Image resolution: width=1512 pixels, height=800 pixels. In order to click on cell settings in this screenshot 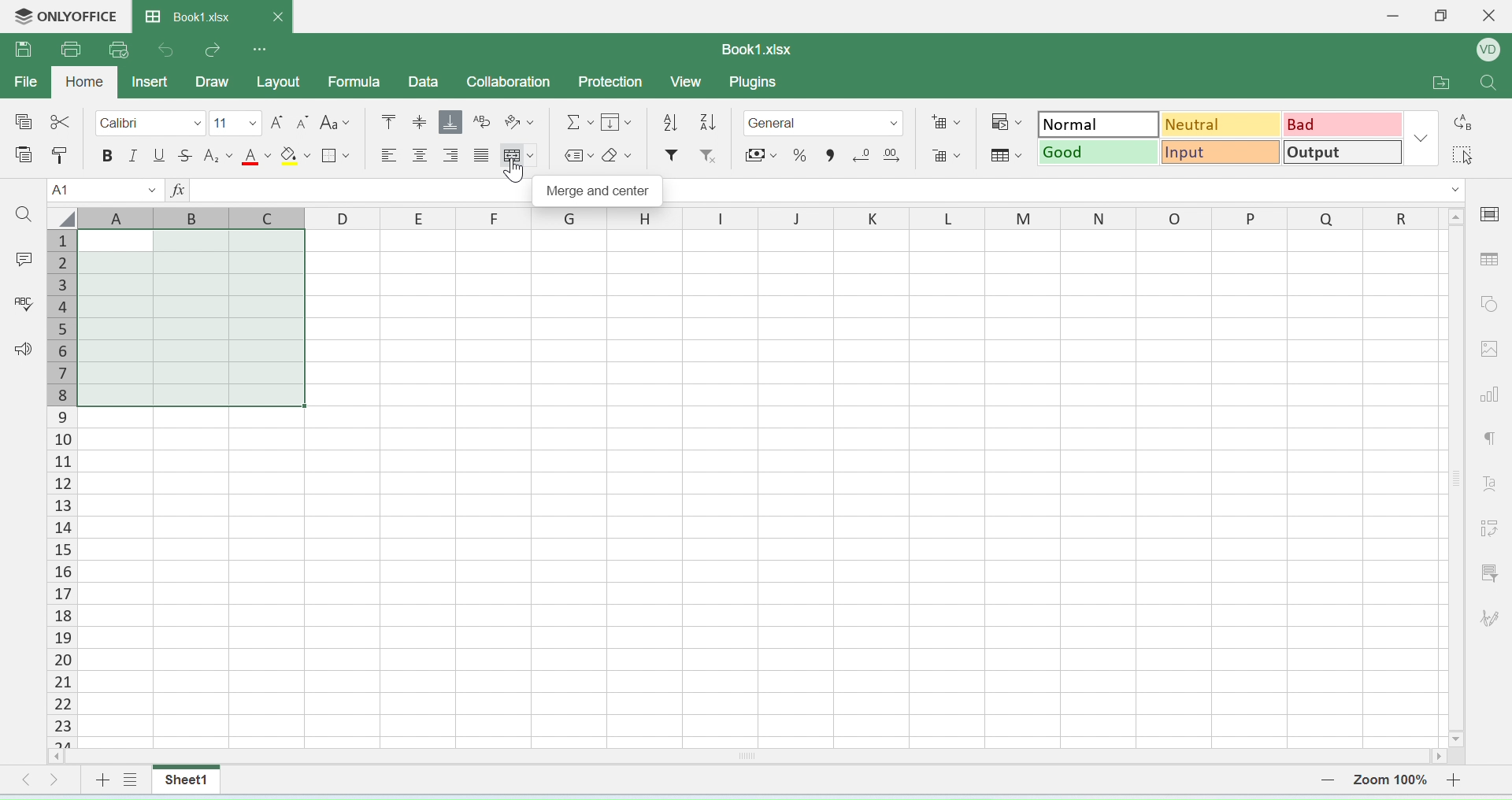, I will do `click(1493, 217)`.